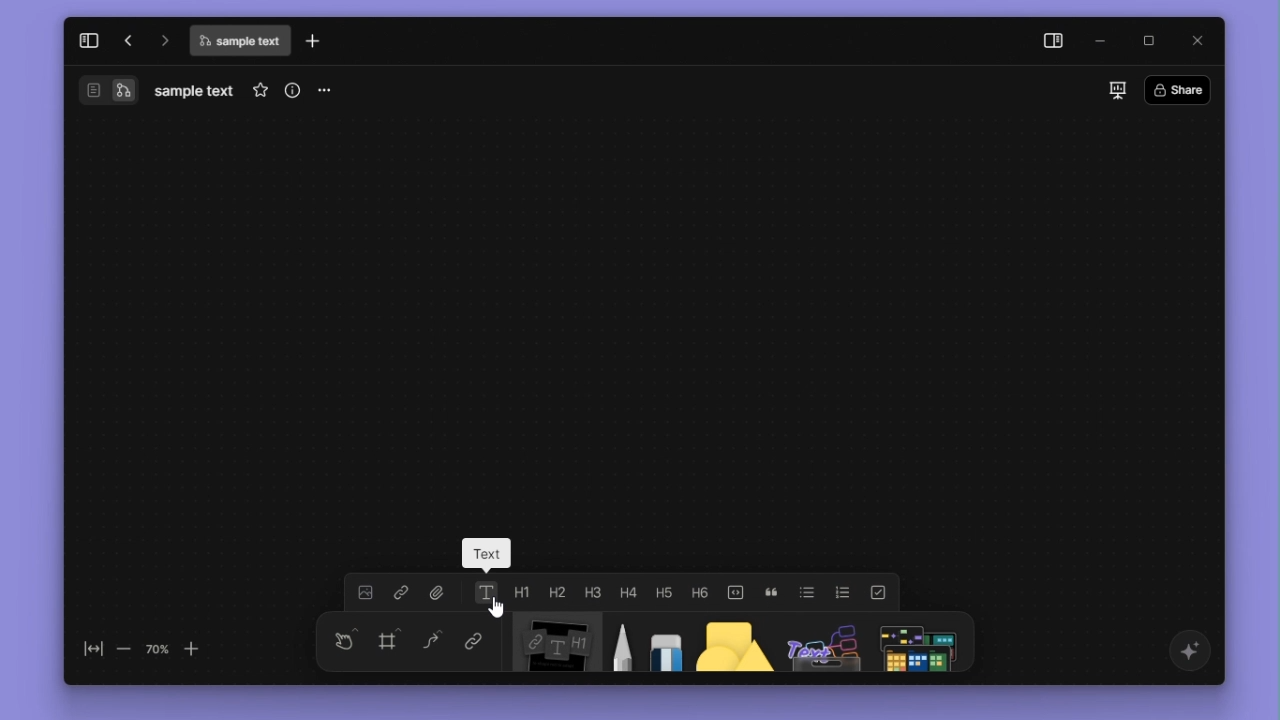 The image size is (1280, 720). What do you see at coordinates (239, 43) in the screenshot?
I see `file name` at bounding box center [239, 43].